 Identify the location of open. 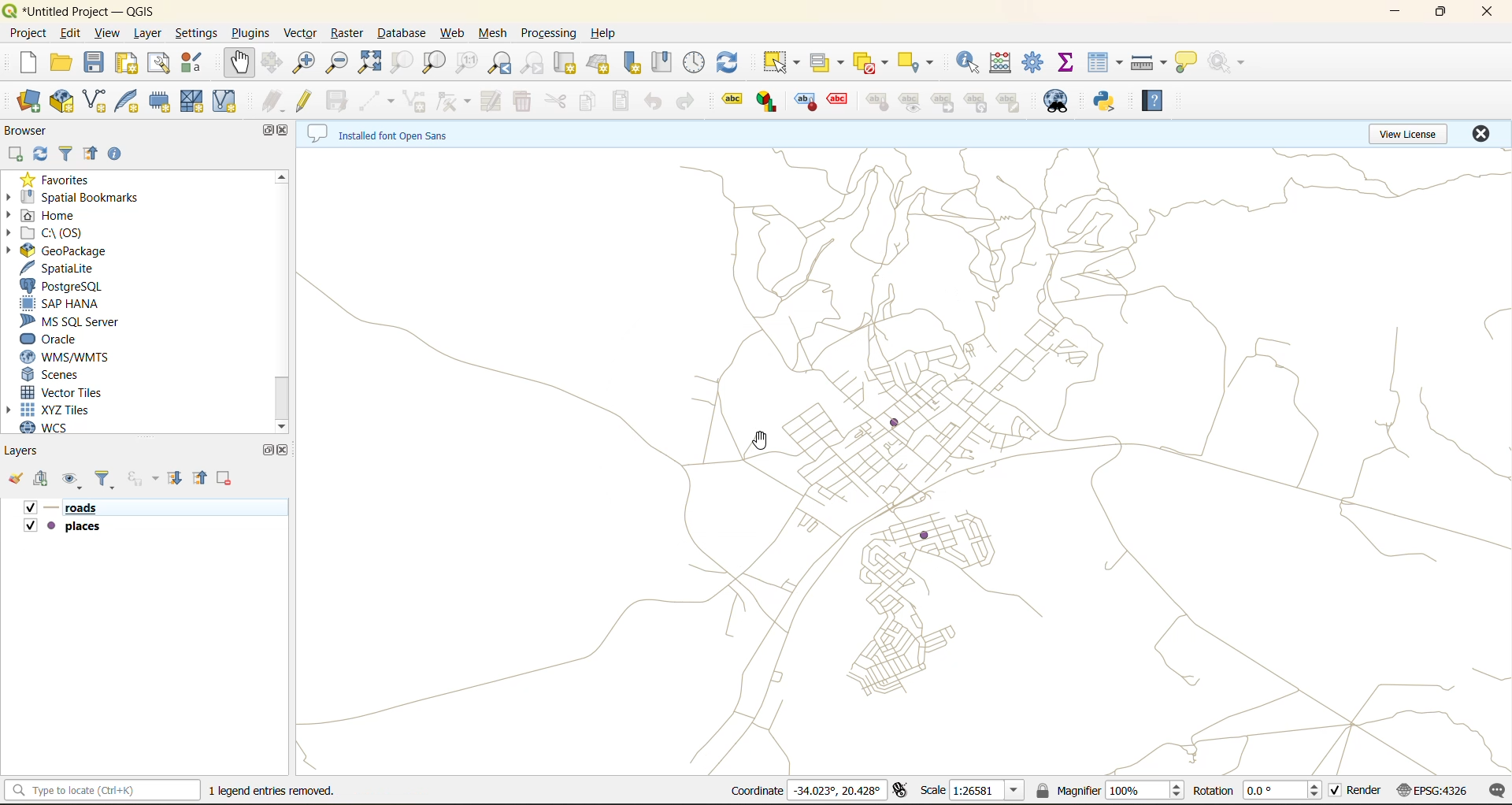
(59, 62).